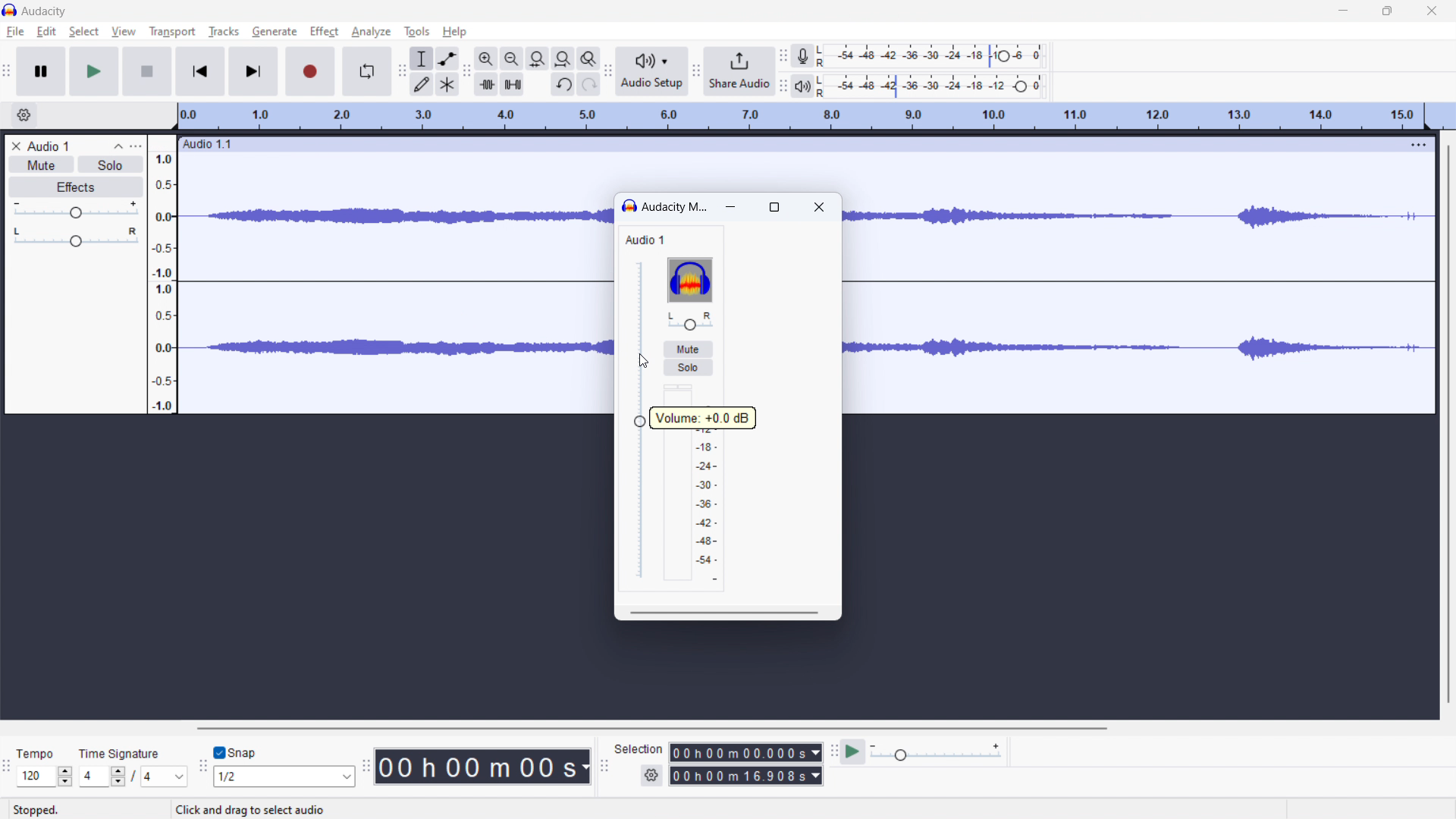 This screenshot has width=1456, height=819. I want to click on play, so click(94, 71).